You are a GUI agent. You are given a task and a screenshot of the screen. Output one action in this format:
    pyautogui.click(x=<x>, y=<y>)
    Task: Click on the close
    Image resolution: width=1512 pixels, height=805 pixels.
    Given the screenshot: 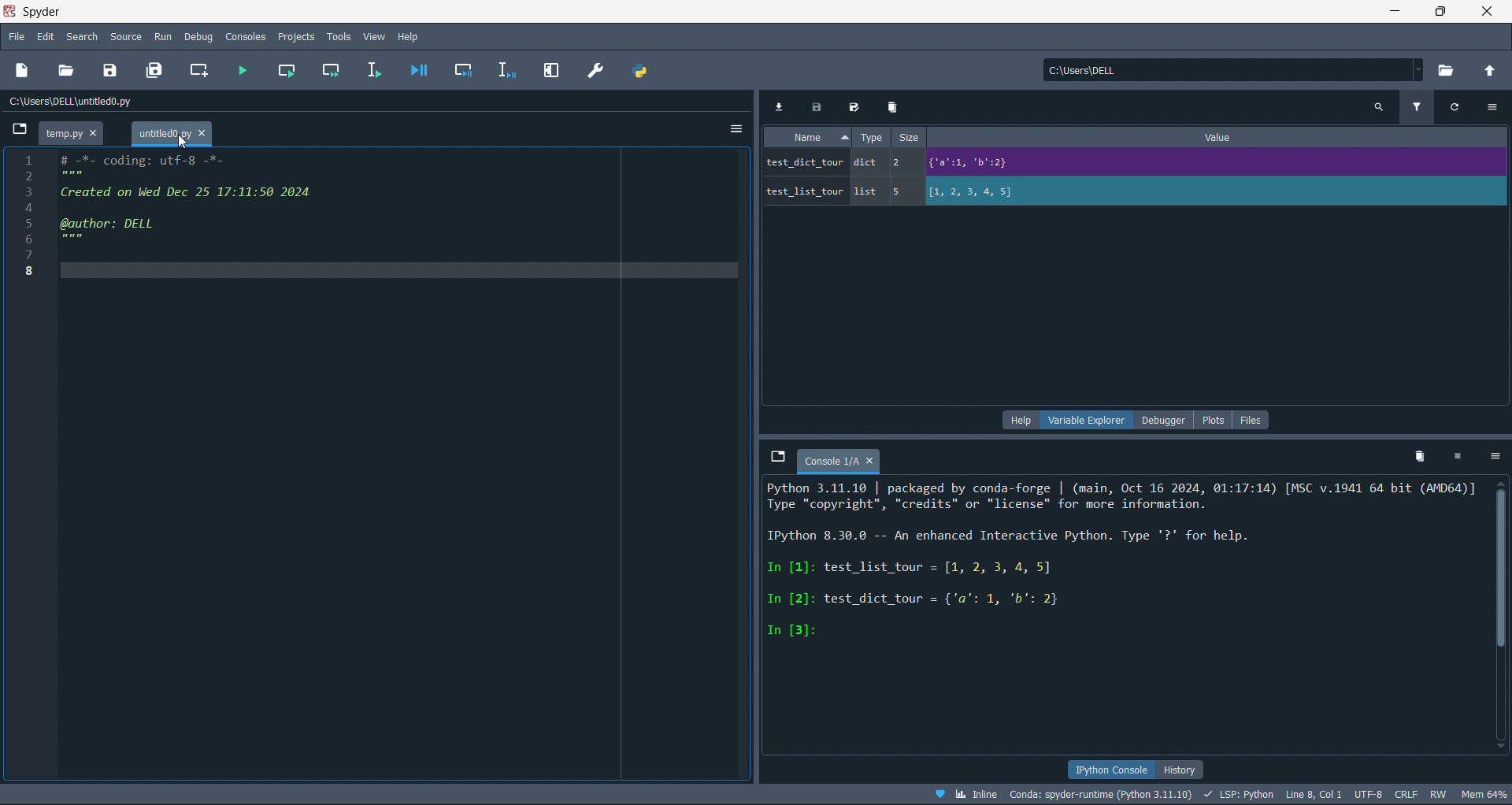 What is the action you would take?
    pyautogui.click(x=1489, y=13)
    